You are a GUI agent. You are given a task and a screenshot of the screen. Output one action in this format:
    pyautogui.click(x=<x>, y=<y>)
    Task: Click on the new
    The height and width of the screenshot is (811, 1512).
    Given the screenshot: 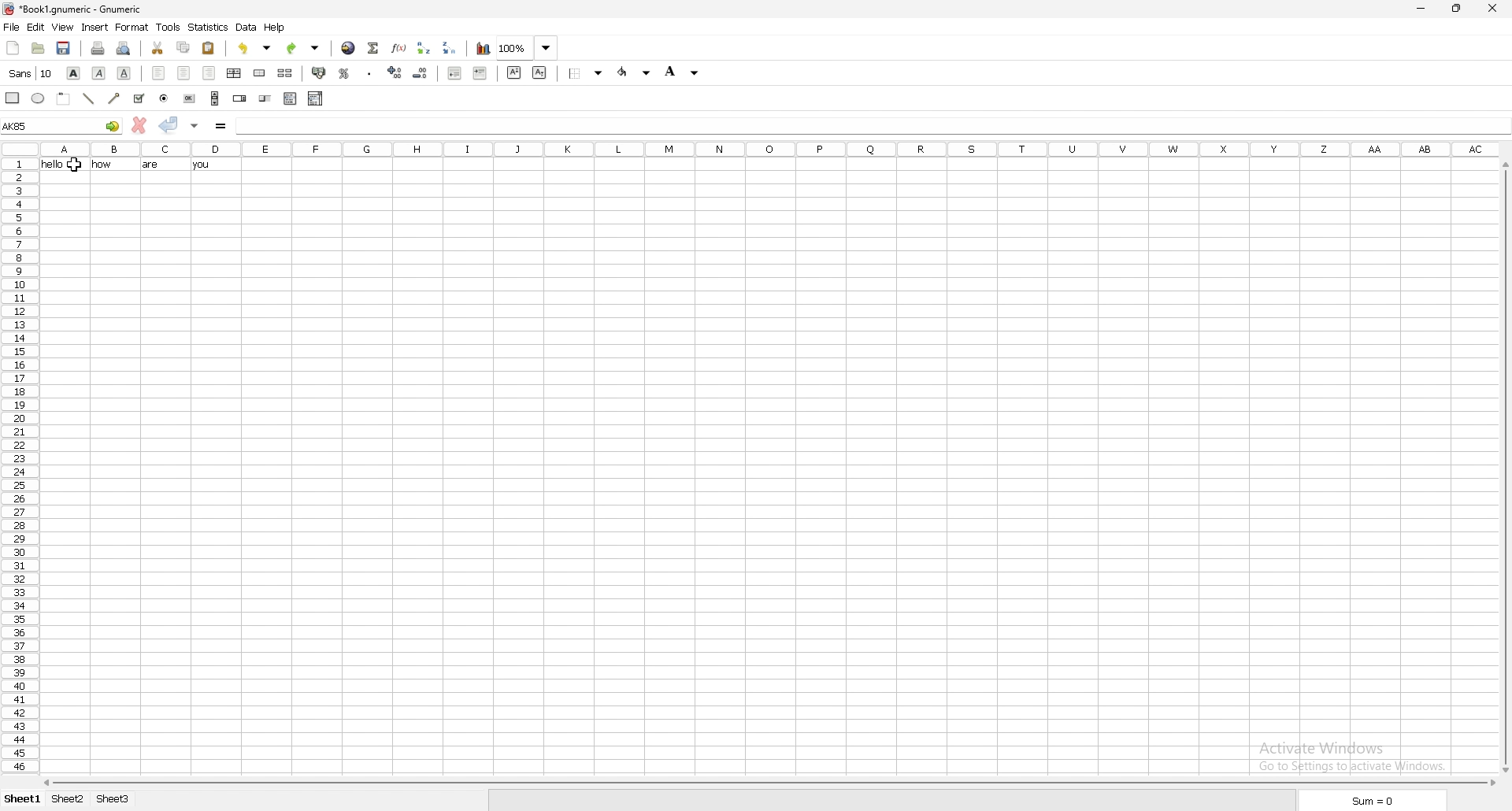 What is the action you would take?
    pyautogui.click(x=12, y=48)
    